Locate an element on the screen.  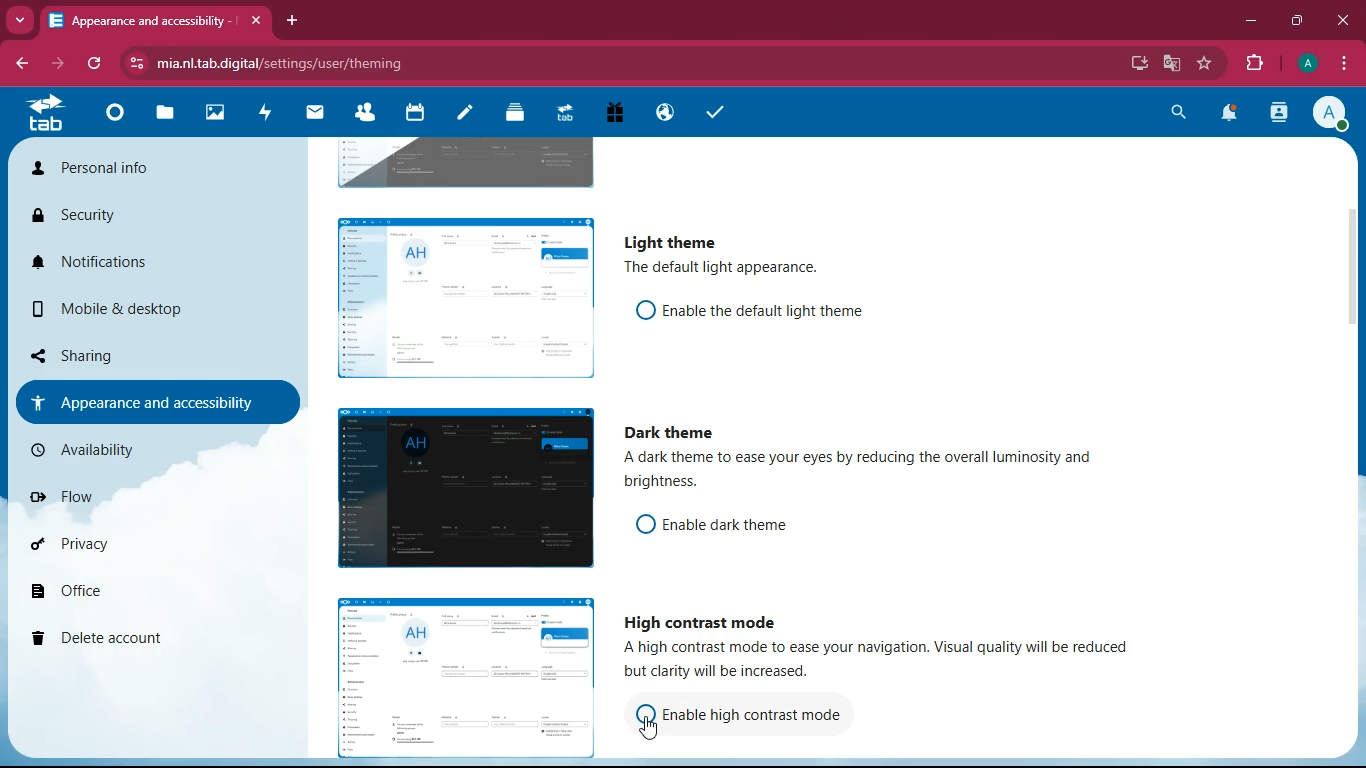
url is located at coordinates (298, 62).